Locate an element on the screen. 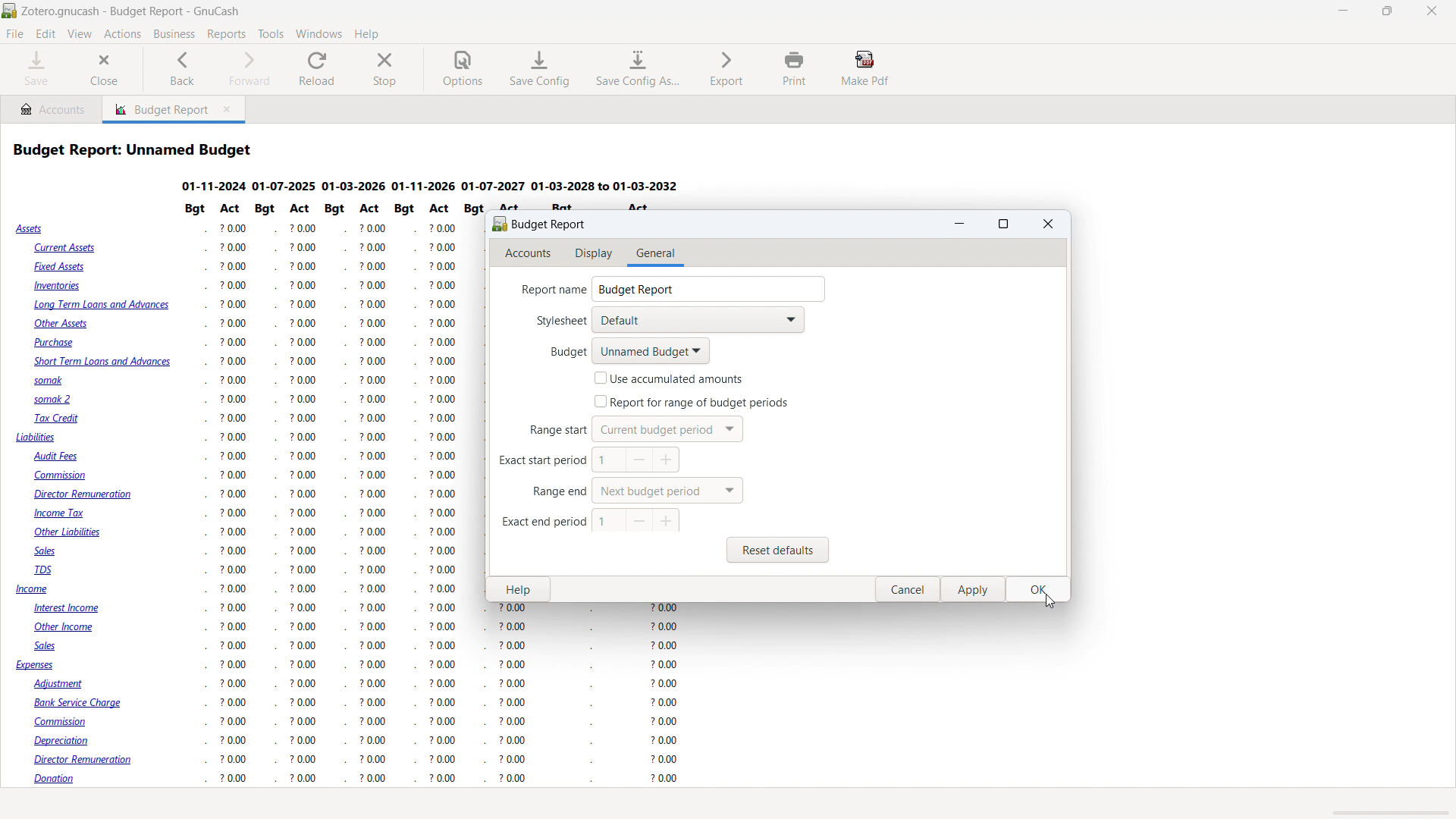 This screenshot has width=1456, height=819. forward is located at coordinates (246, 69).